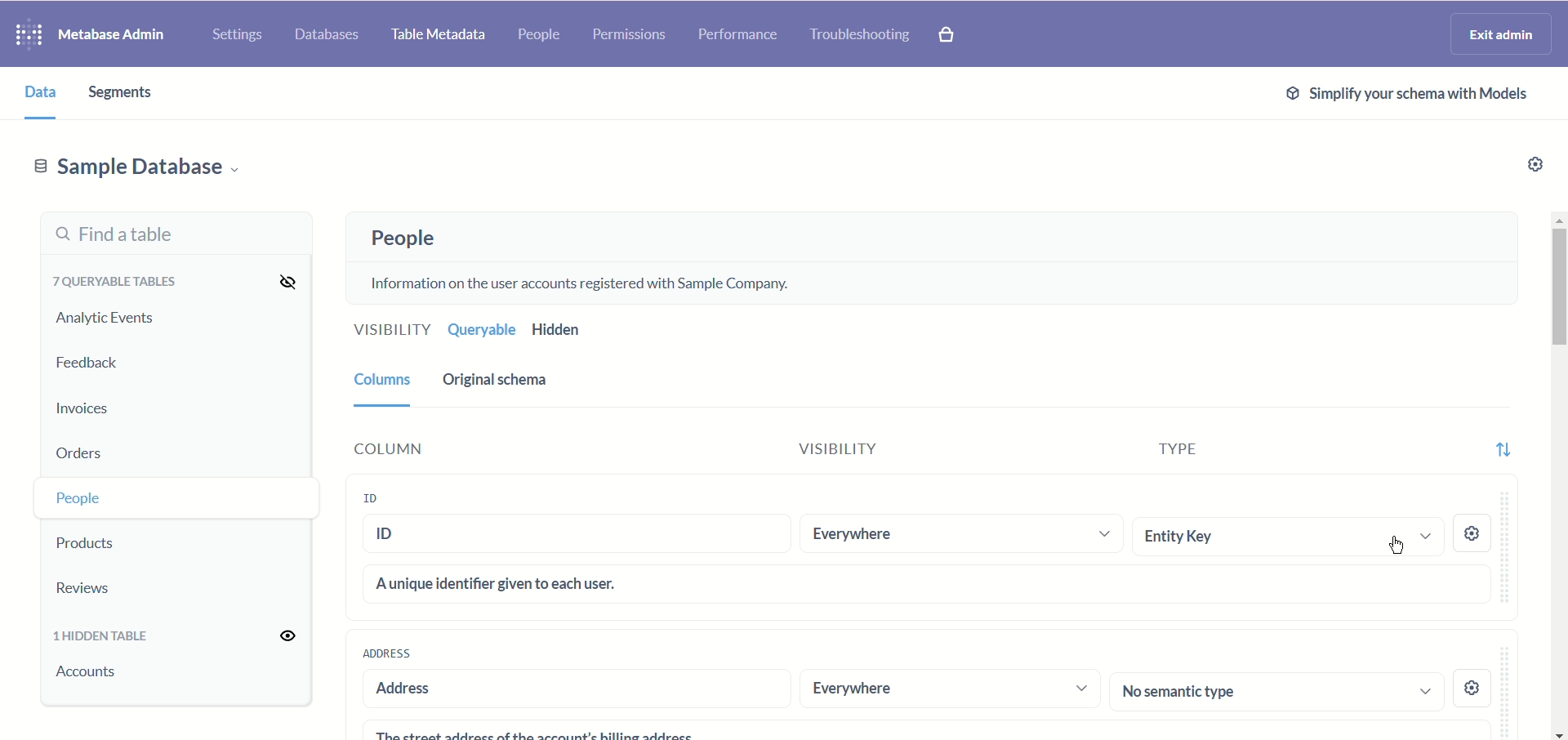 The height and width of the screenshot is (740, 1568). Describe the element at coordinates (1557, 475) in the screenshot. I see `vertical scroll bar` at that location.